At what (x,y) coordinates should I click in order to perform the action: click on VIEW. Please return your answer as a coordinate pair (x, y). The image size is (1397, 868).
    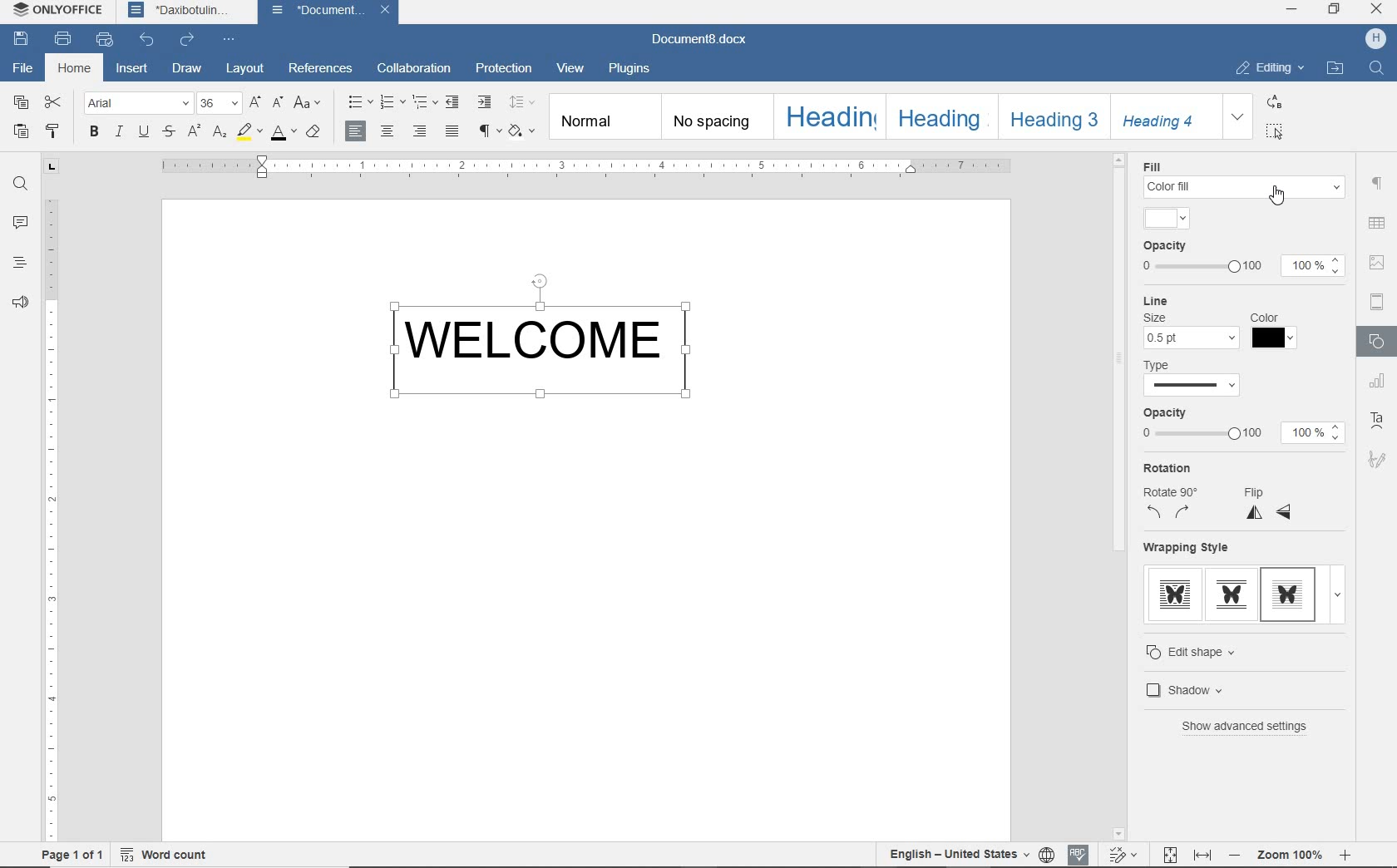
    Looking at the image, I should click on (570, 67).